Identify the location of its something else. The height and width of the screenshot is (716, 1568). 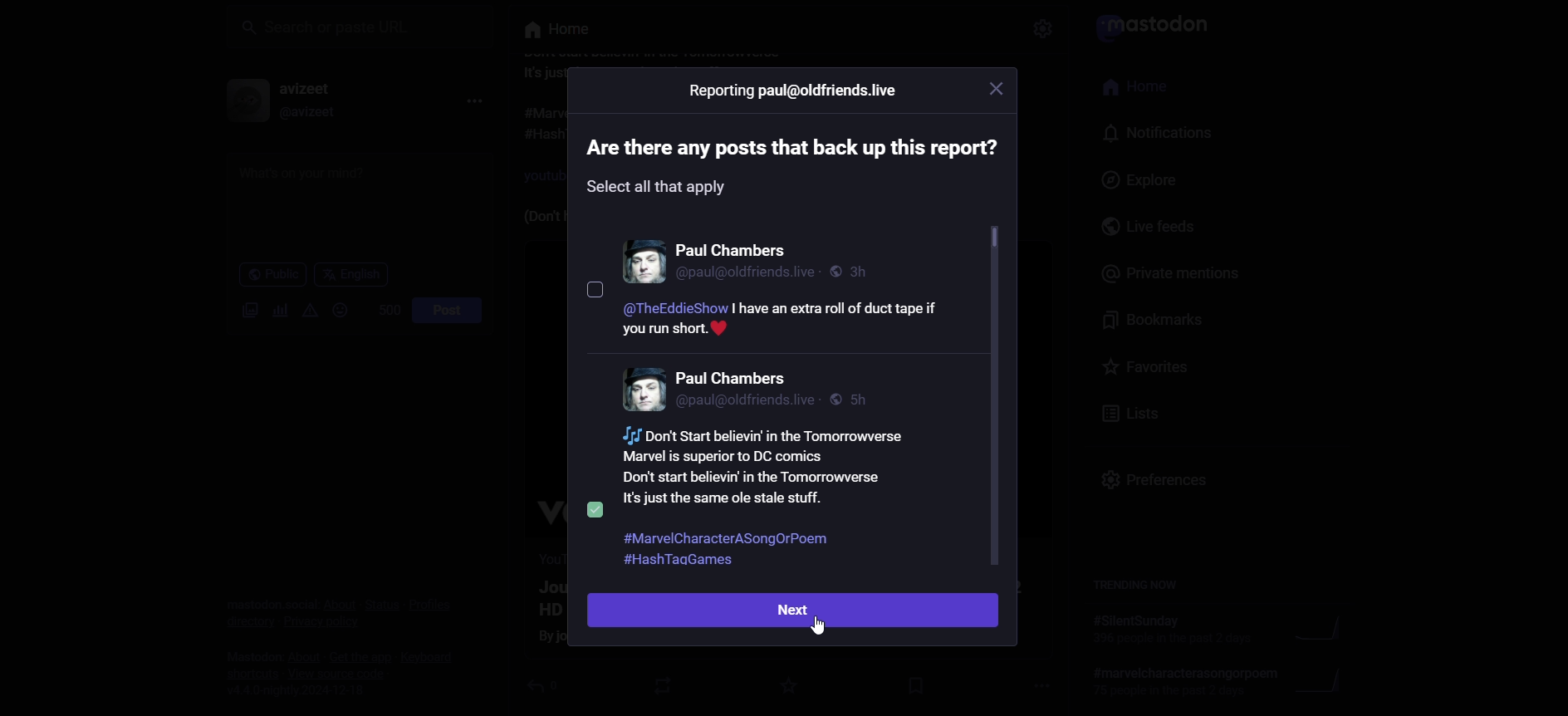
(555, 30).